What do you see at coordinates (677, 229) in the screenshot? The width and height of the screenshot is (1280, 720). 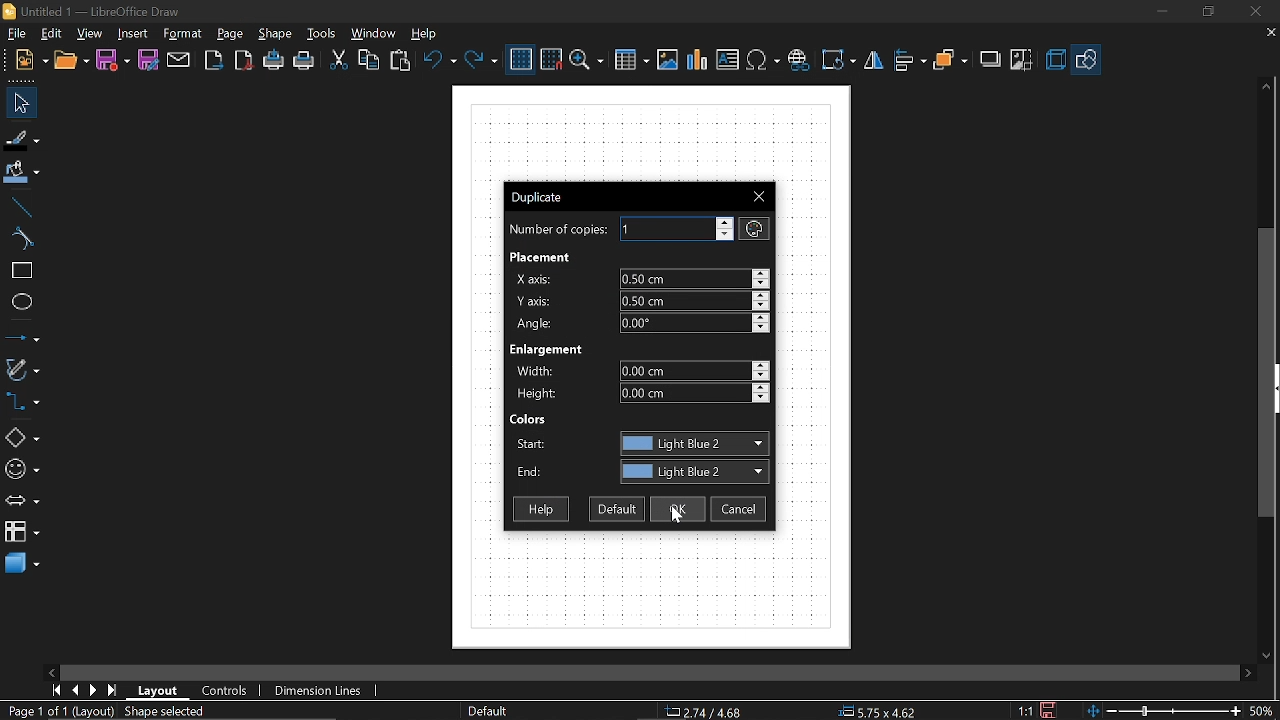 I see `Number of copies` at bounding box center [677, 229].